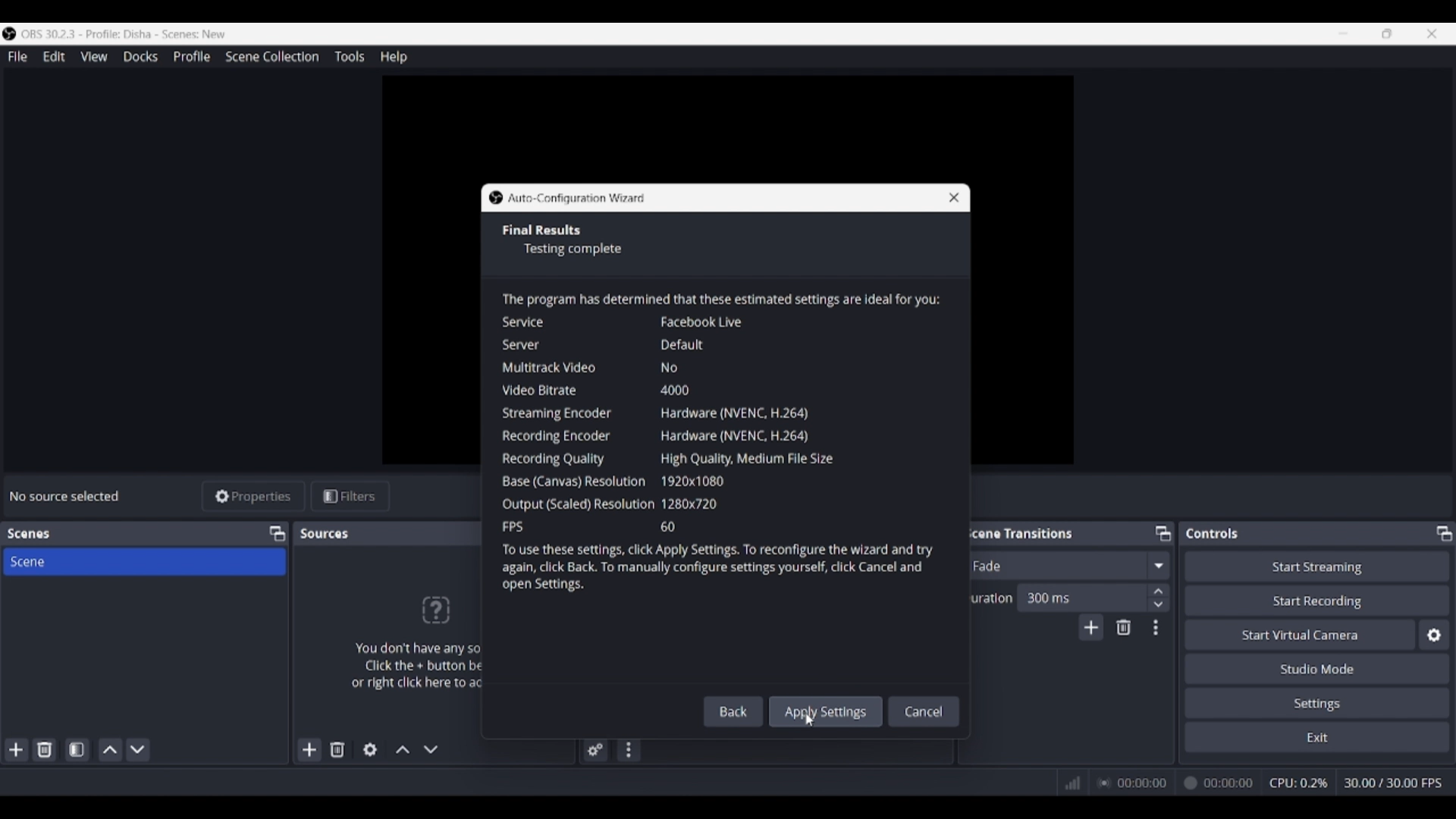 The image size is (1456, 819). I want to click on Input duration, so click(1084, 597).